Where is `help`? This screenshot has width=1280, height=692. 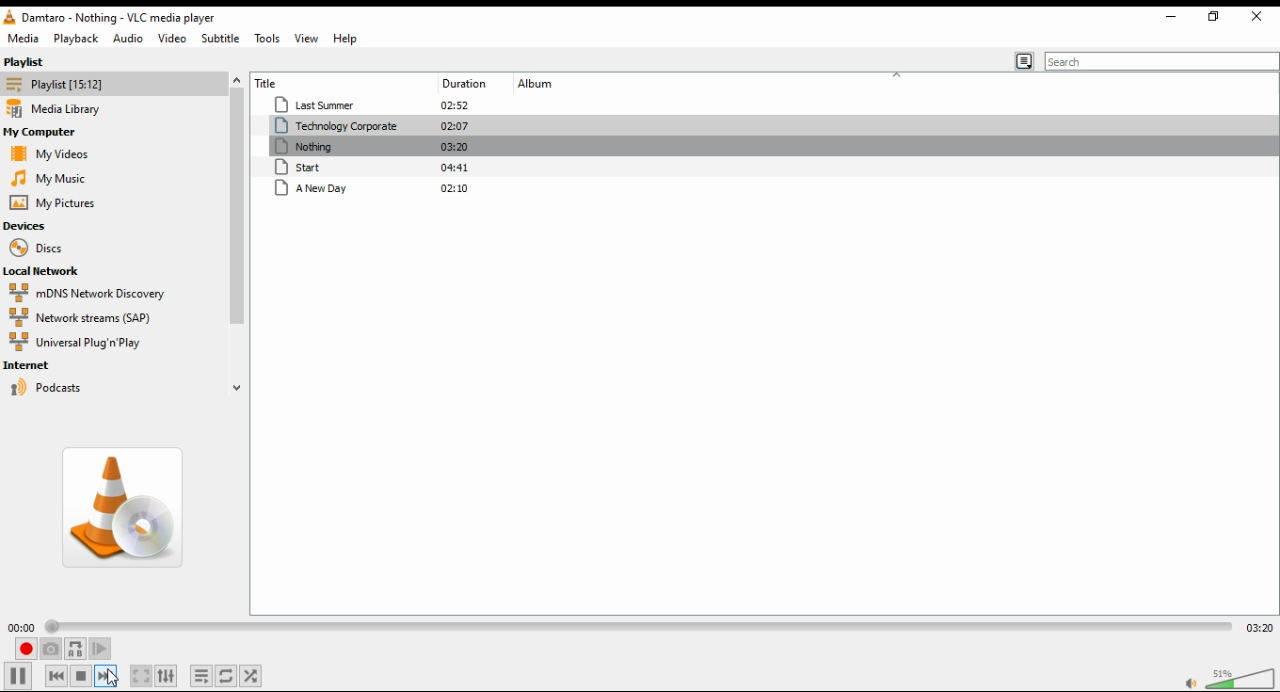 help is located at coordinates (348, 39).